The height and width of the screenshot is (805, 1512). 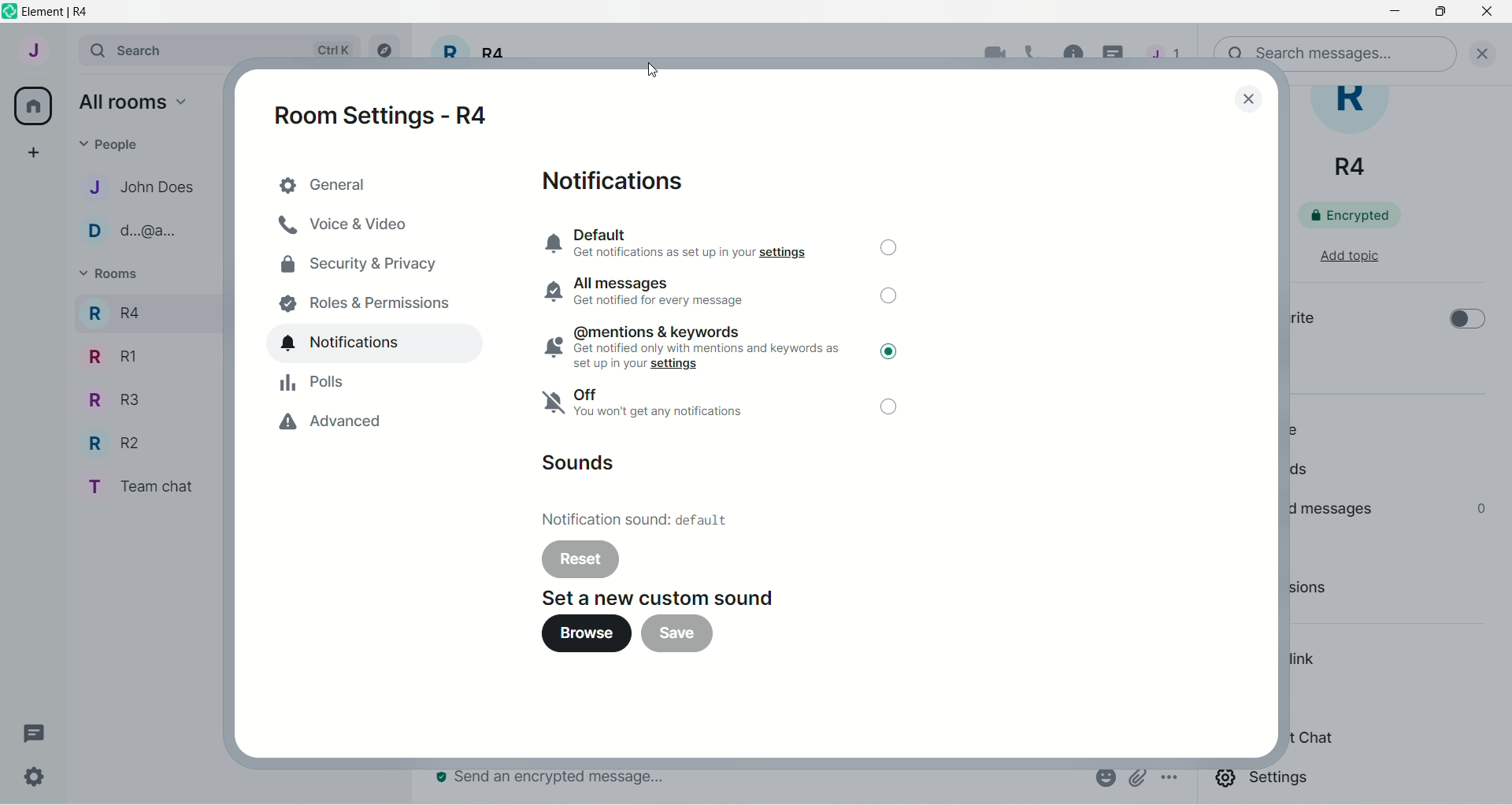 What do you see at coordinates (376, 344) in the screenshot?
I see `notification` at bounding box center [376, 344].